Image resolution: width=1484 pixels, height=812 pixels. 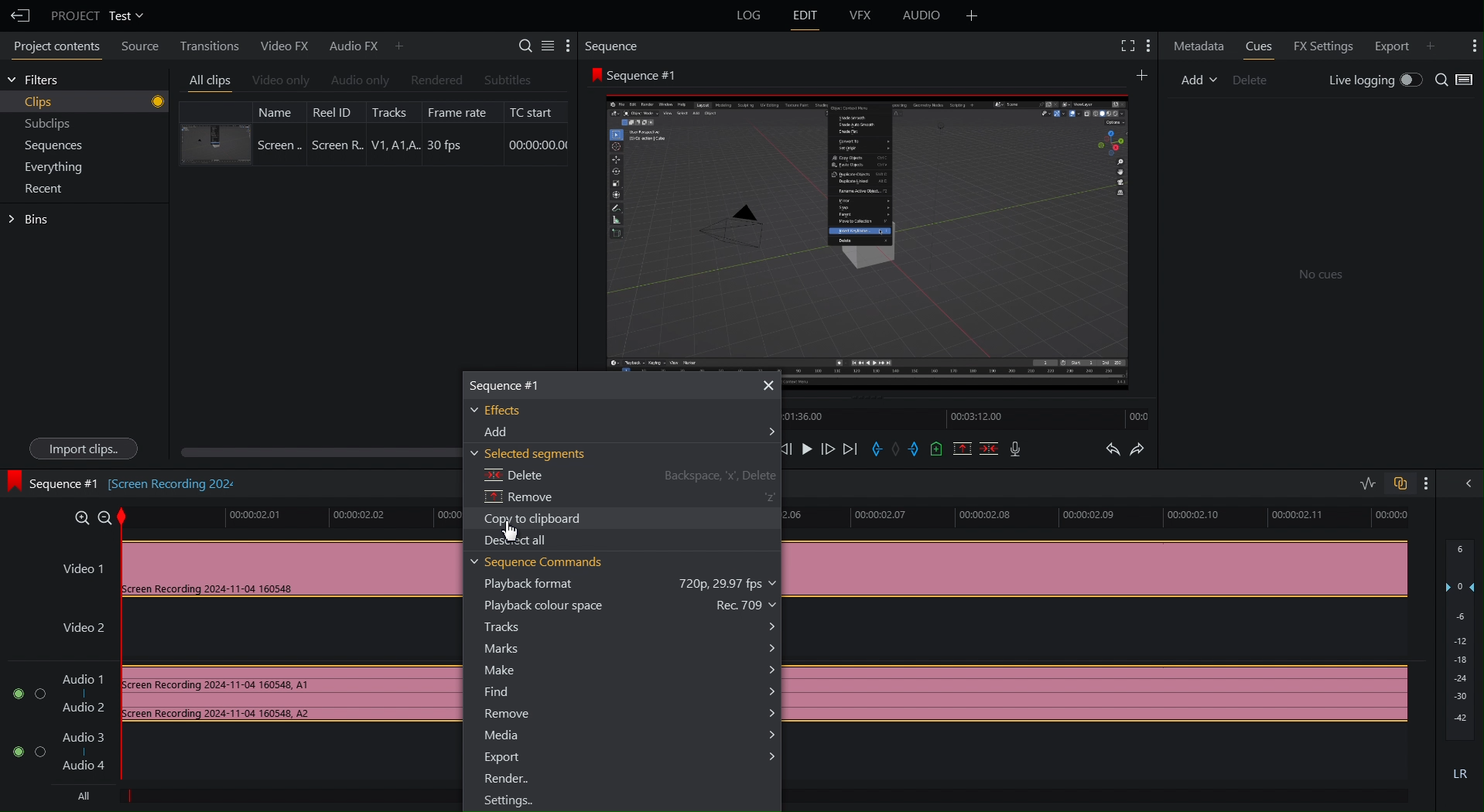 What do you see at coordinates (746, 17) in the screenshot?
I see `Log` at bounding box center [746, 17].